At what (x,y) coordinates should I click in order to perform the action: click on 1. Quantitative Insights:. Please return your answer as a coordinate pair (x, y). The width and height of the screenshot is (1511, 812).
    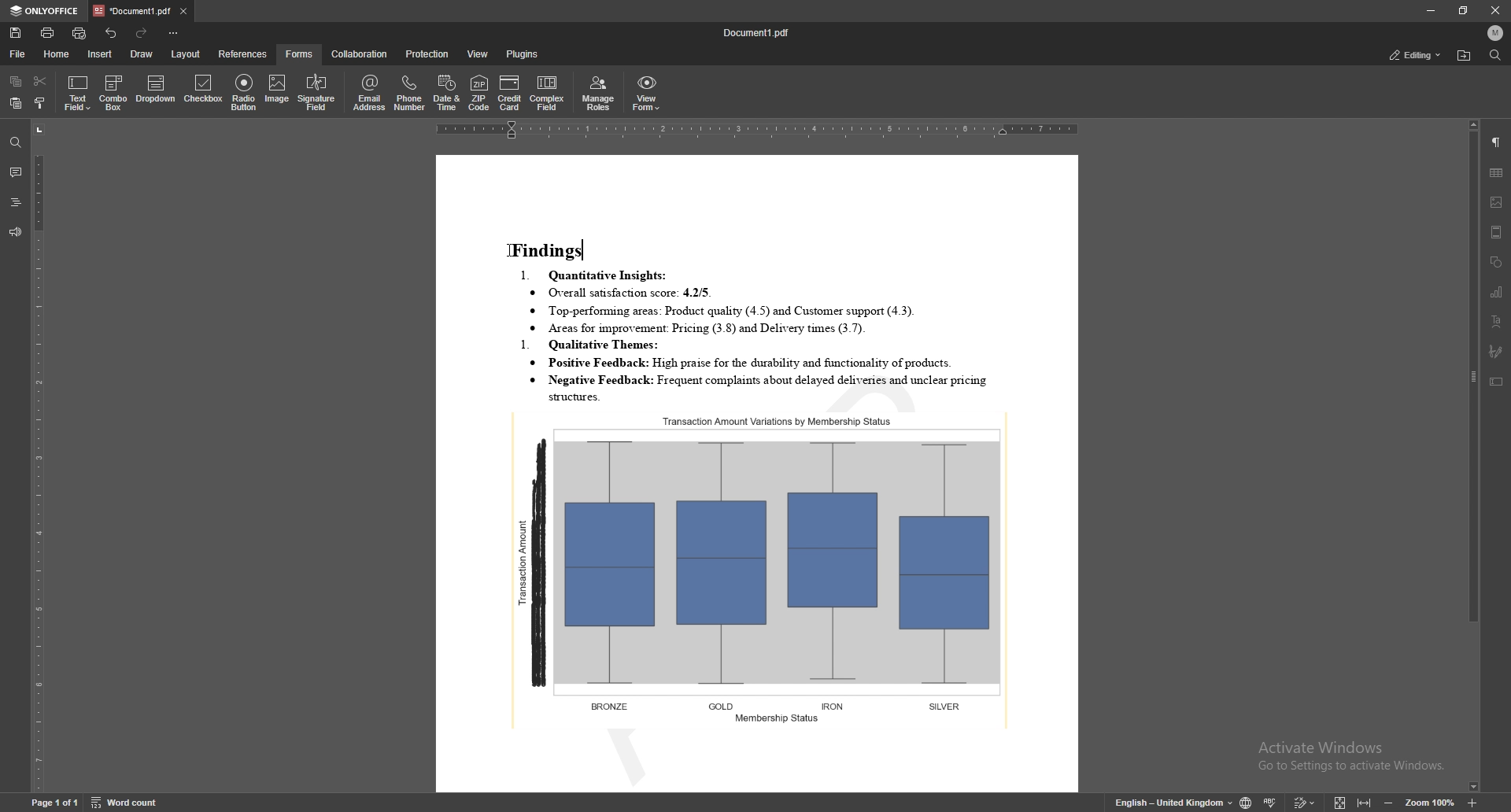
    Looking at the image, I should click on (599, 275).